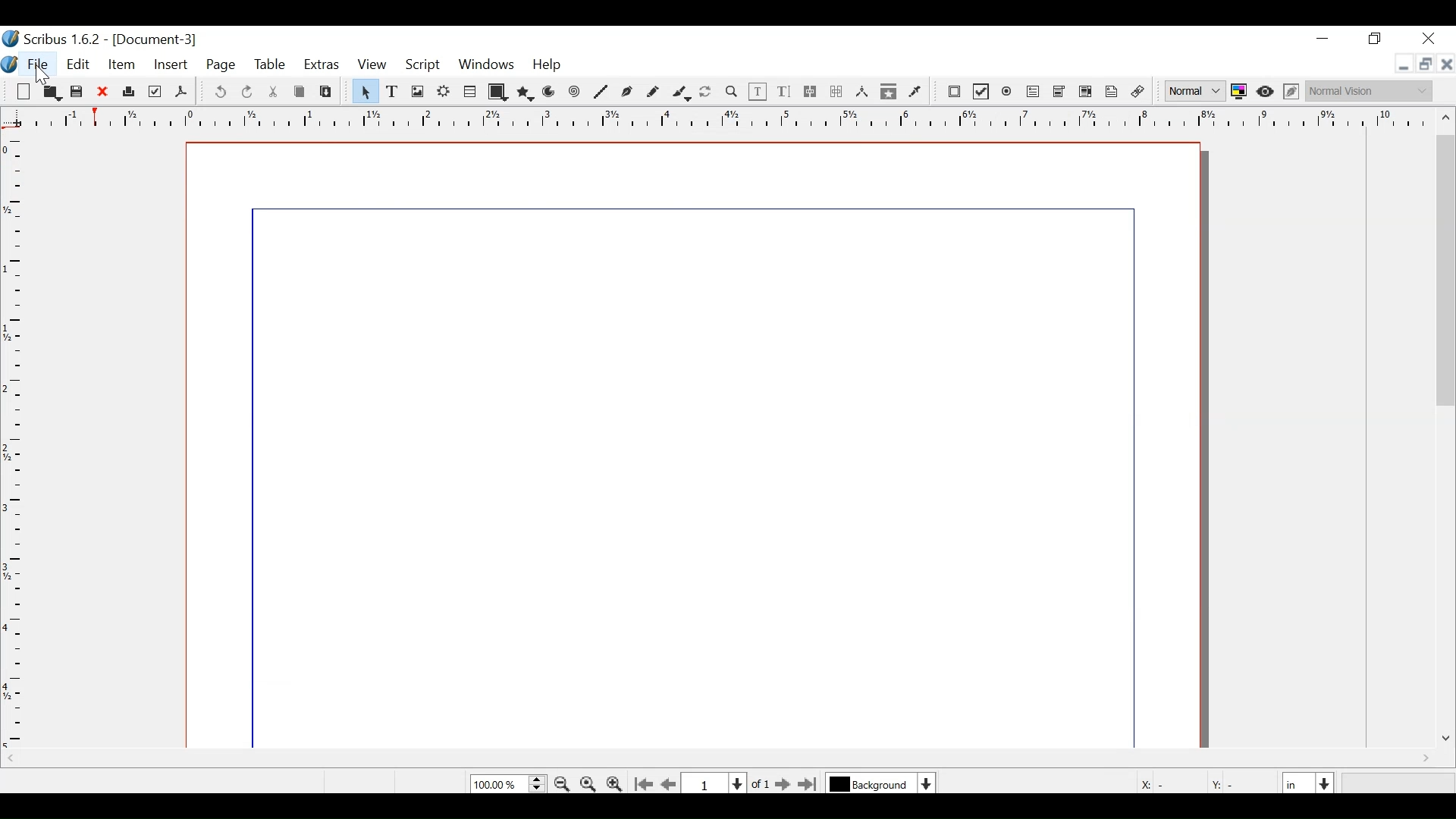  Describe the element at coordinates (645, 783) in the screenshot. I see `Go to the first page` at that location.